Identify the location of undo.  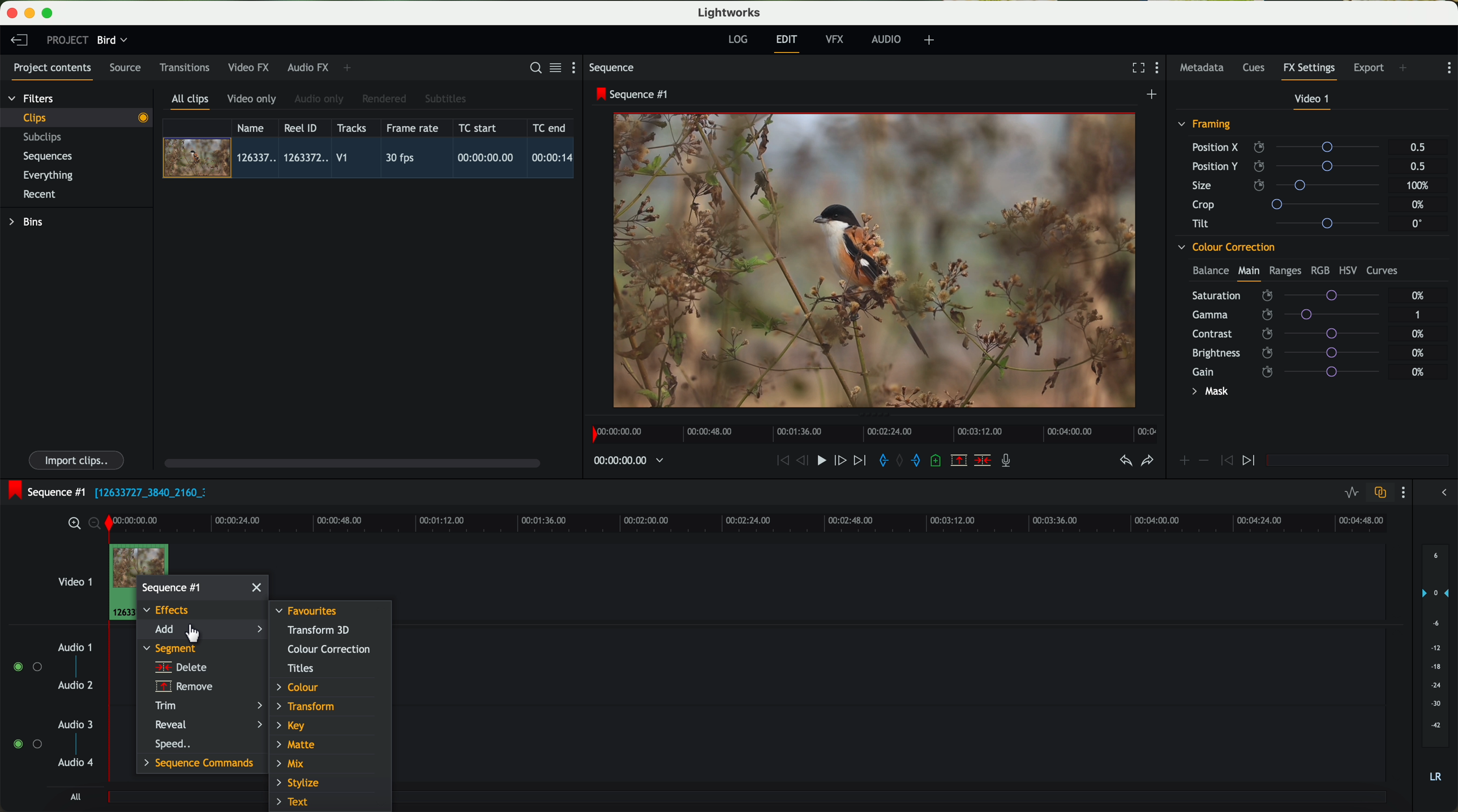
(1125, 461).